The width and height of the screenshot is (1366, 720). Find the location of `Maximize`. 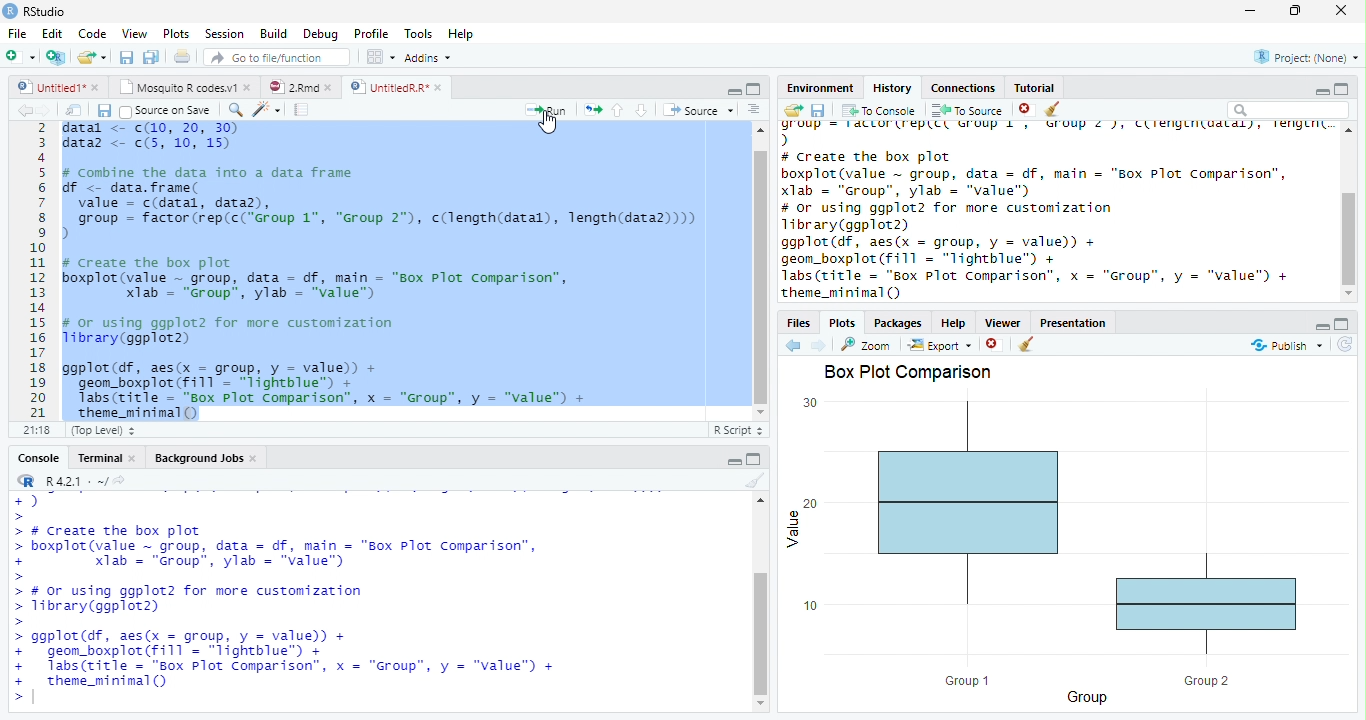

Maximize is located at coordinates (754, 89).